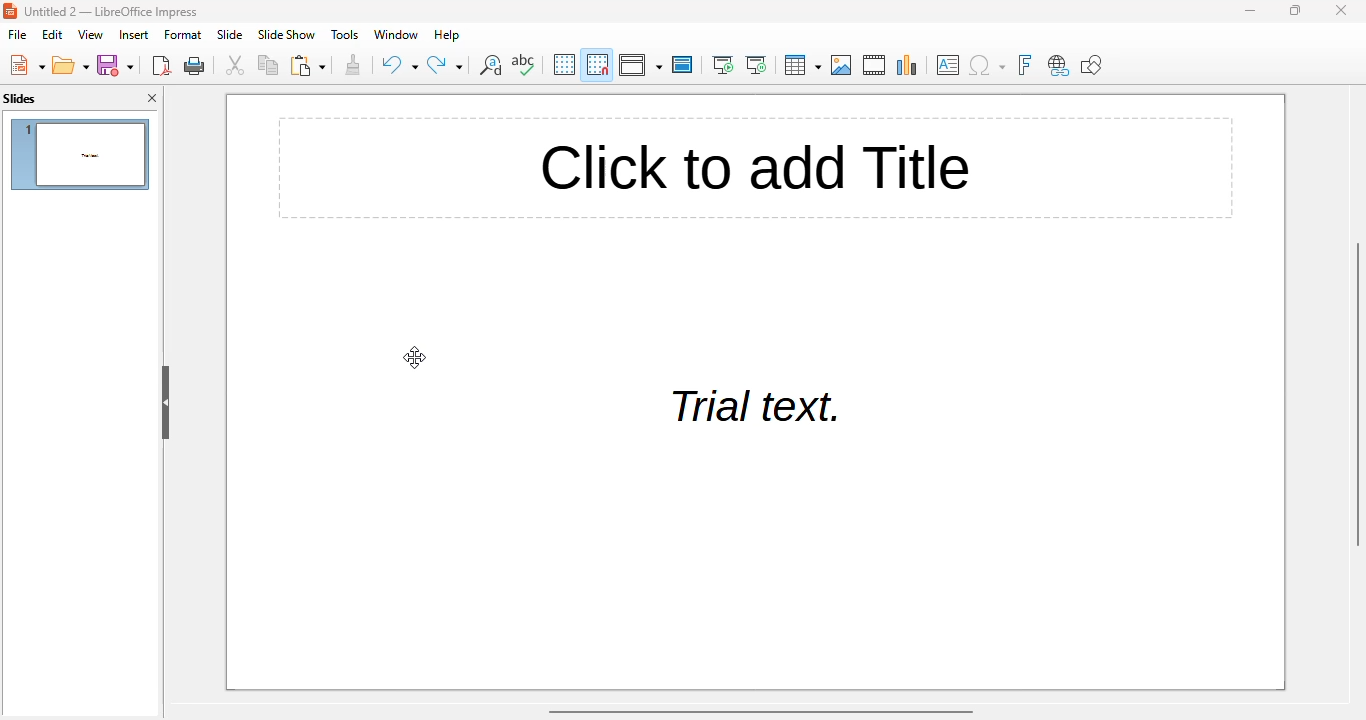  What do you see at coordinates (166, 403) in the screenshot?
I see `hide` at bounding box center [166, 403].